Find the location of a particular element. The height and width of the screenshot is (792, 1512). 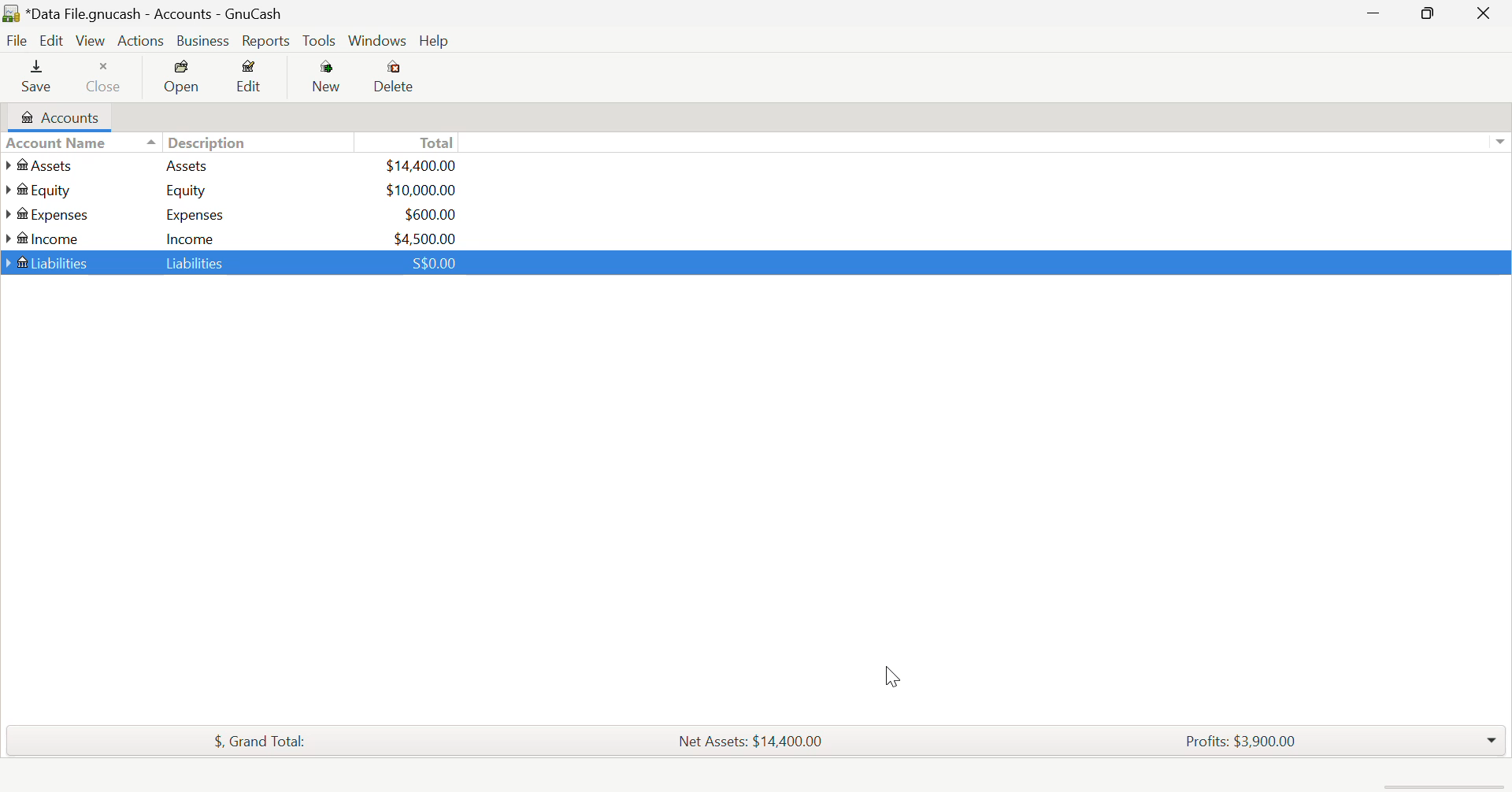

New is located at coordinates (328, 80).